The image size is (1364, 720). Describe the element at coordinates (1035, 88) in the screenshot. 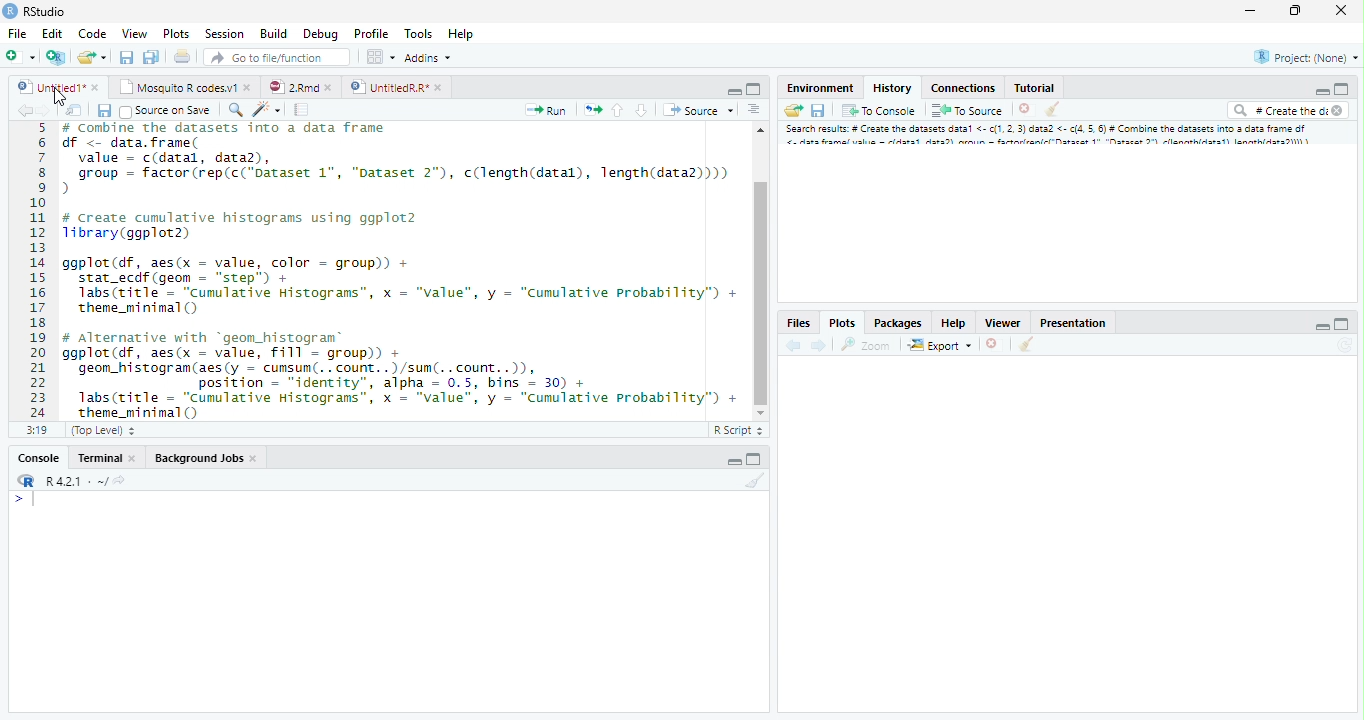

I see `Tutorial` at that location.